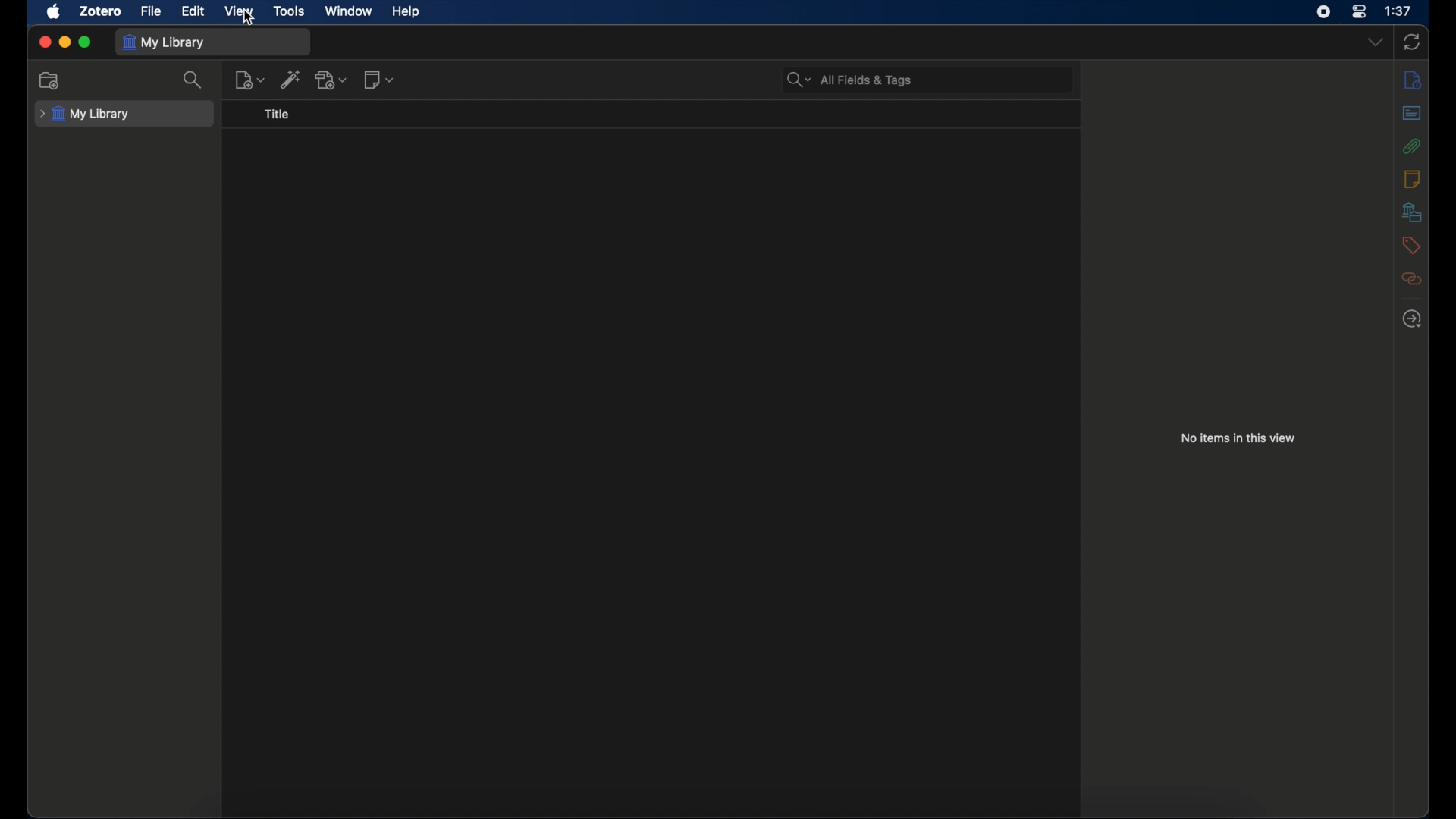 Image resolution: width=1456 pixels, height=819 pixels. I want to click on edit, so click(196, 11).